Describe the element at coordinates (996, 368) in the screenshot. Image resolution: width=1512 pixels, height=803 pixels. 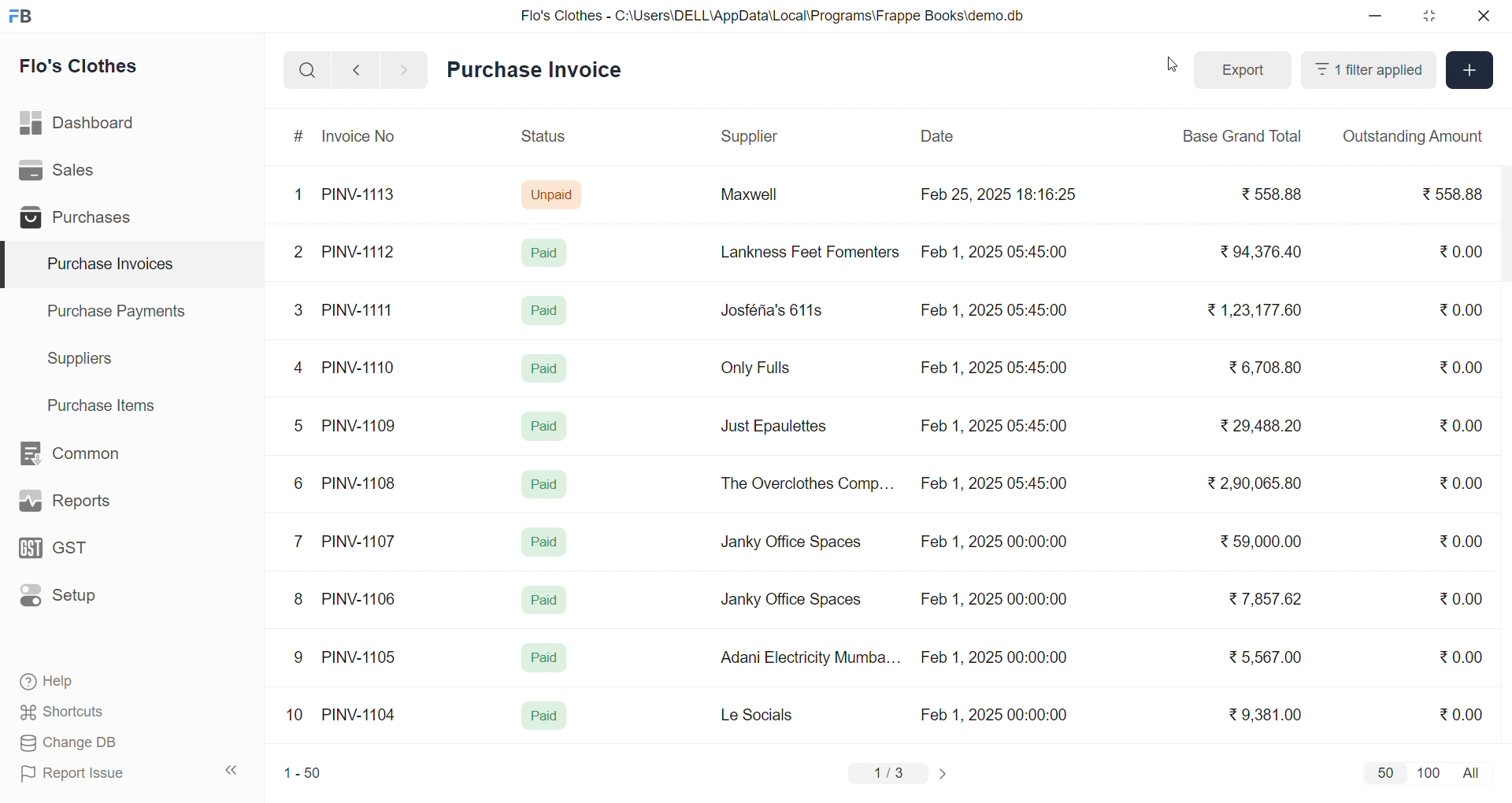
I see `Feb 1, 2025 05:45:00` at that location.